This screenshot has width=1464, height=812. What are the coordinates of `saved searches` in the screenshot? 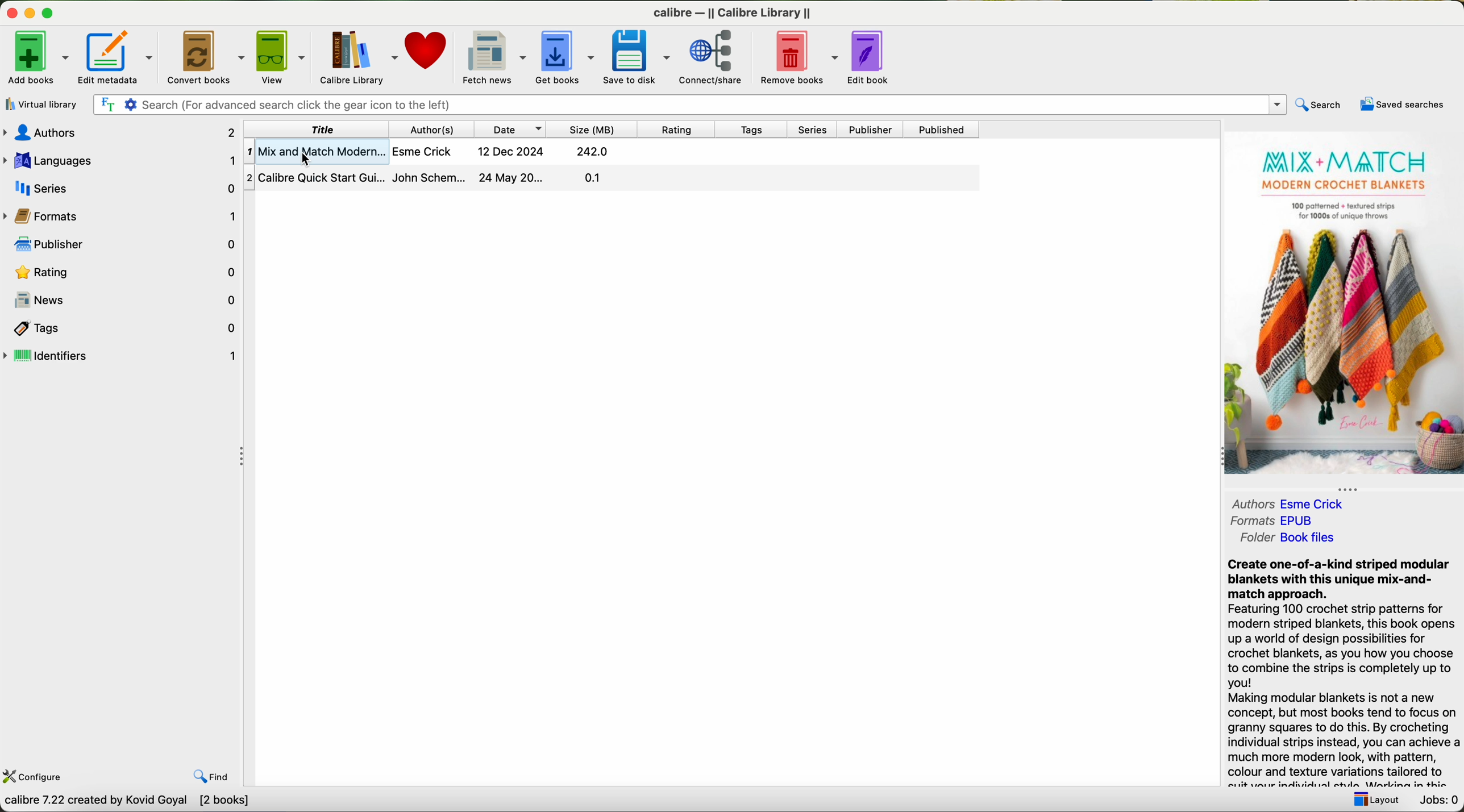 It's located at (1404, 105).